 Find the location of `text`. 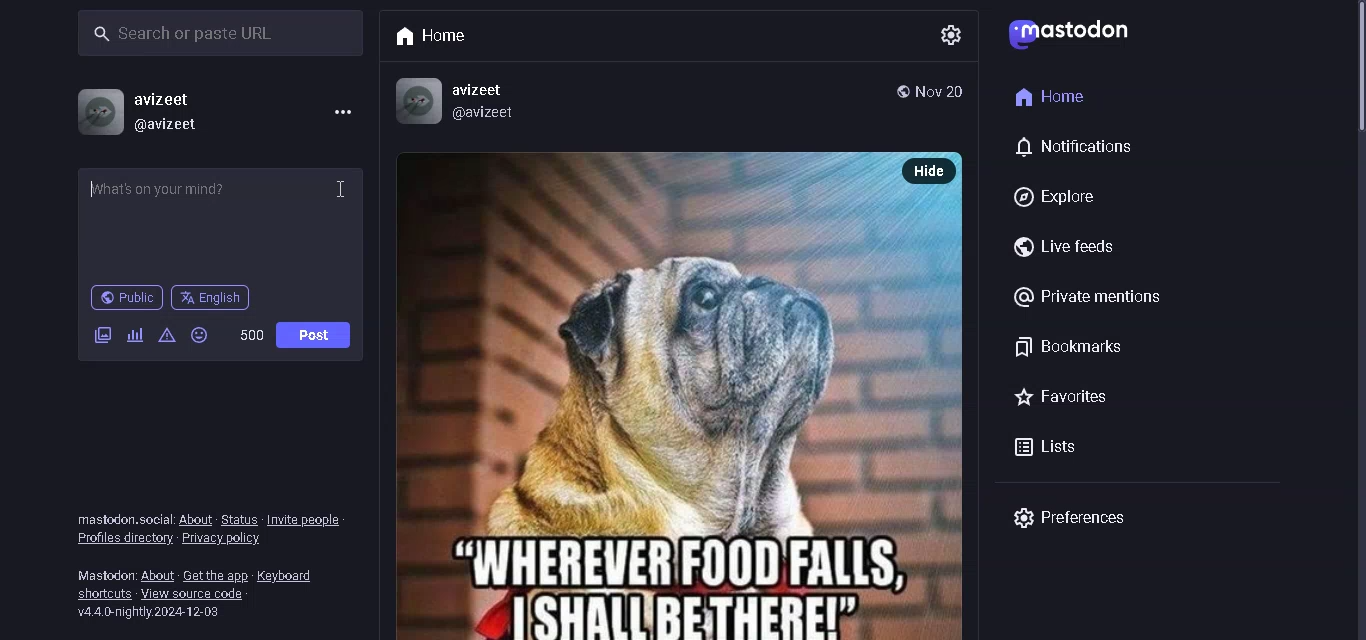

text is located at coordinates (125, 520).